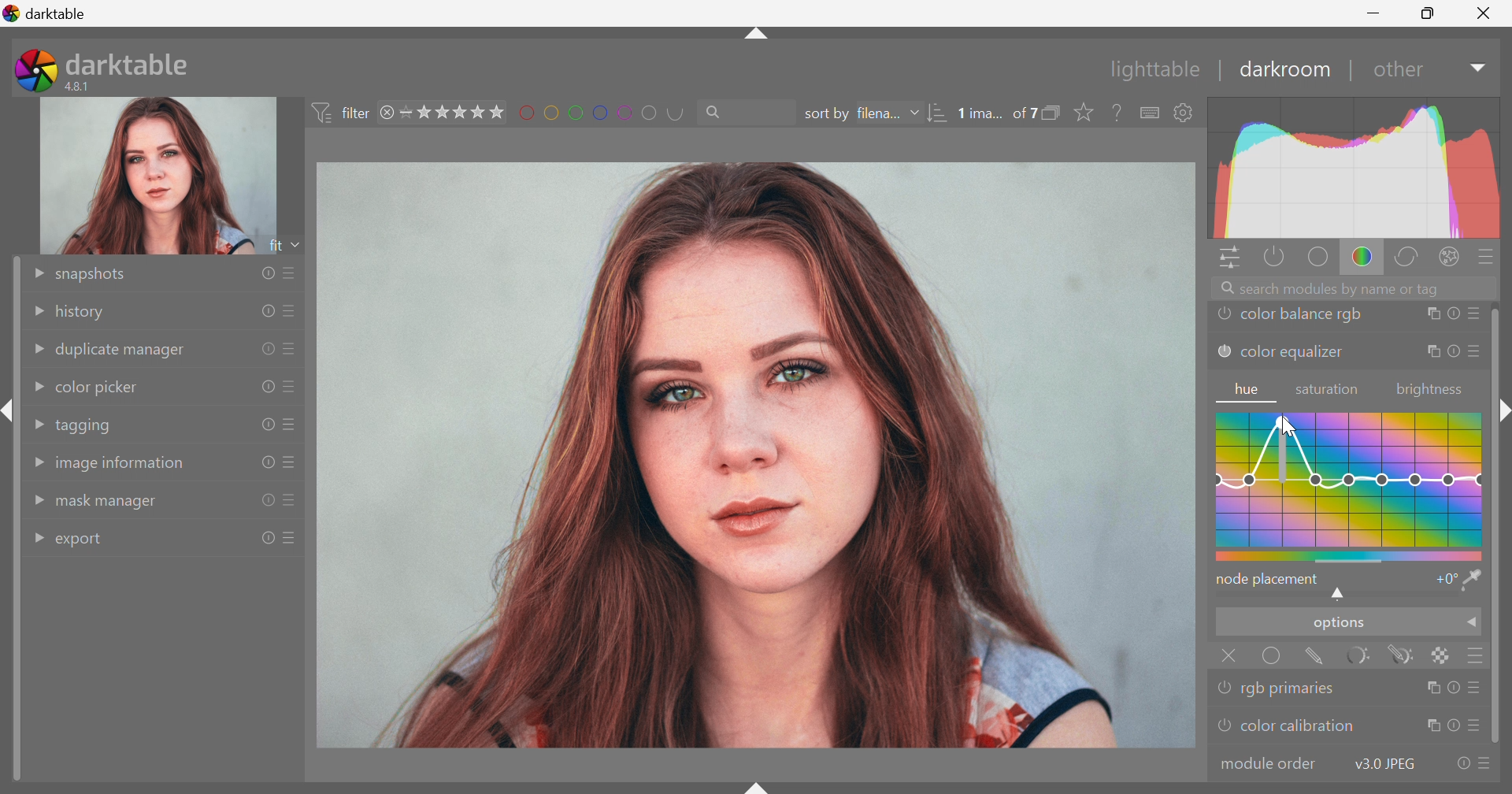  Describe the element at coordinates (35, 387) in the screenshot. I see `Drop Down` at that location.